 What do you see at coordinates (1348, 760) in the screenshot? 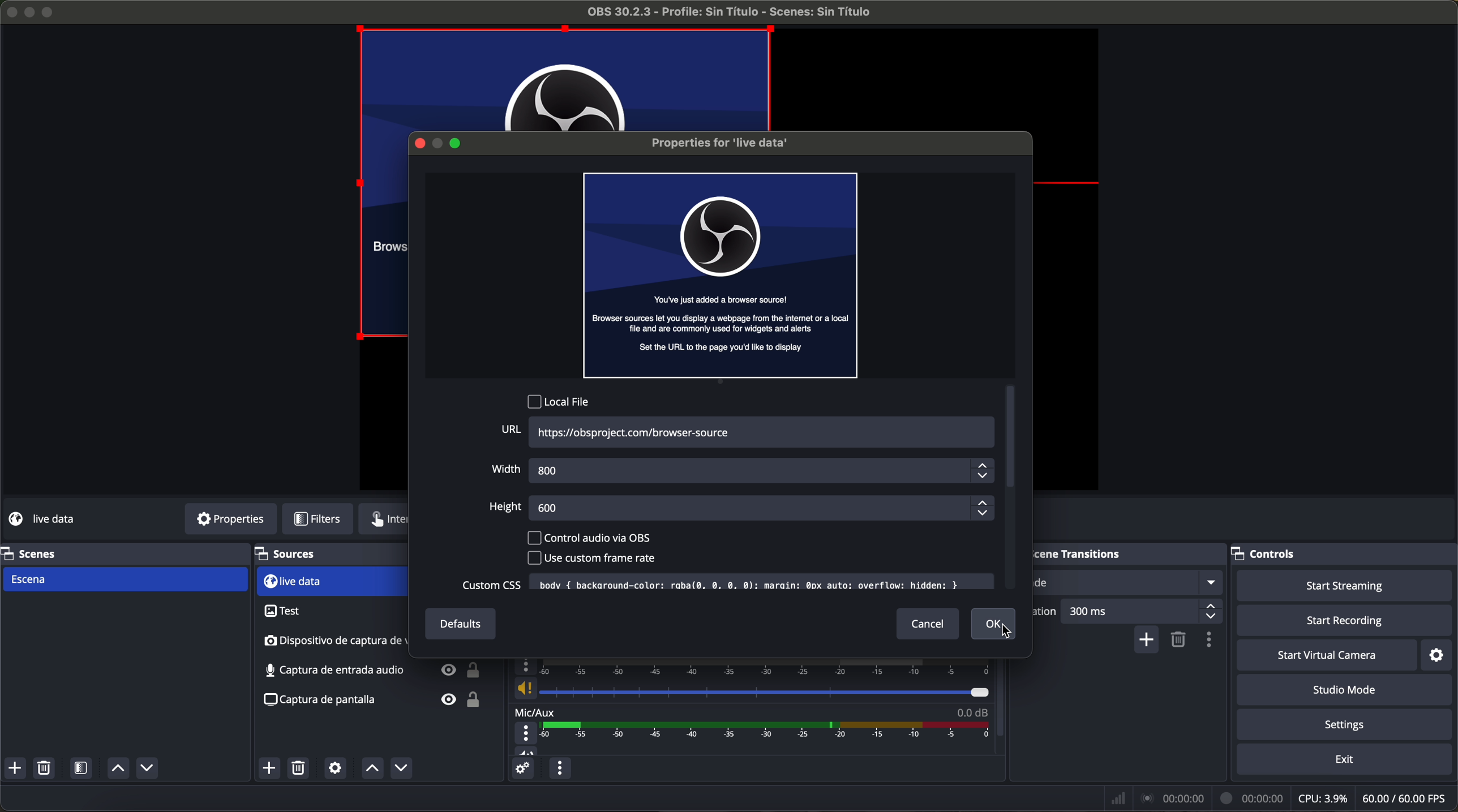
I see `exit` at bounding box center [1348, 760].